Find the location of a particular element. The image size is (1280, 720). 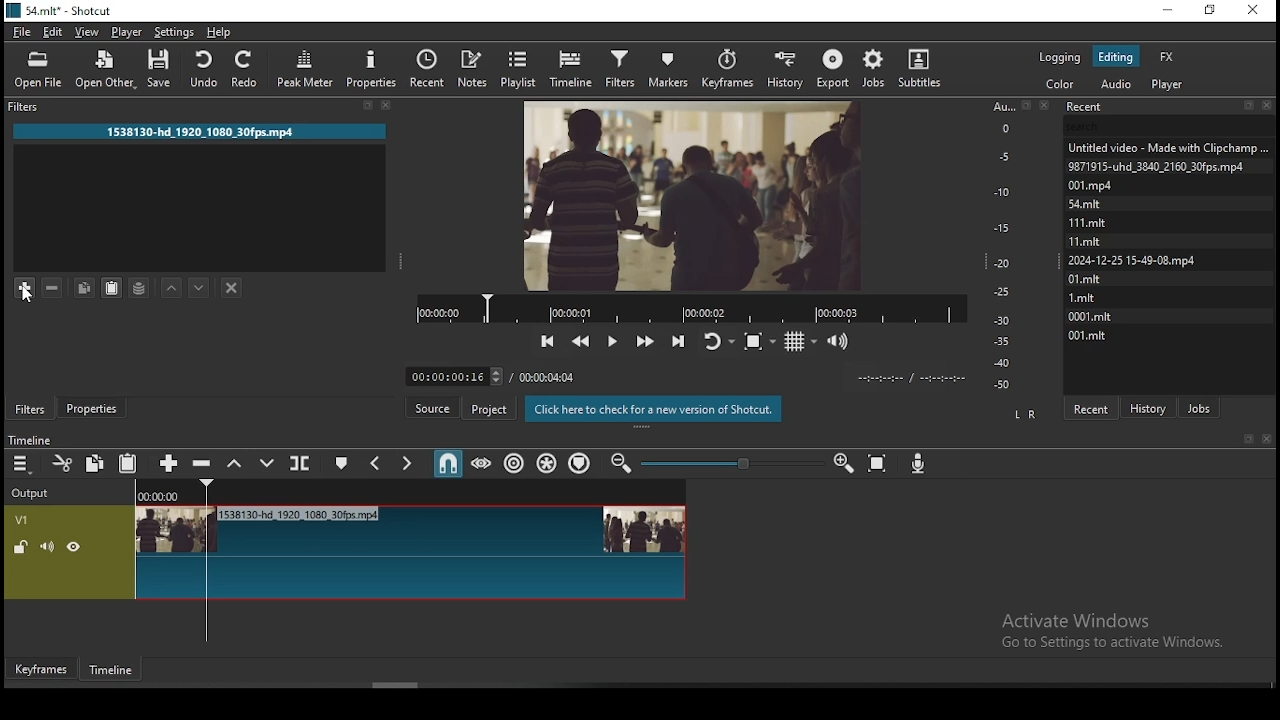

redo is located at coordinates (248, 69).